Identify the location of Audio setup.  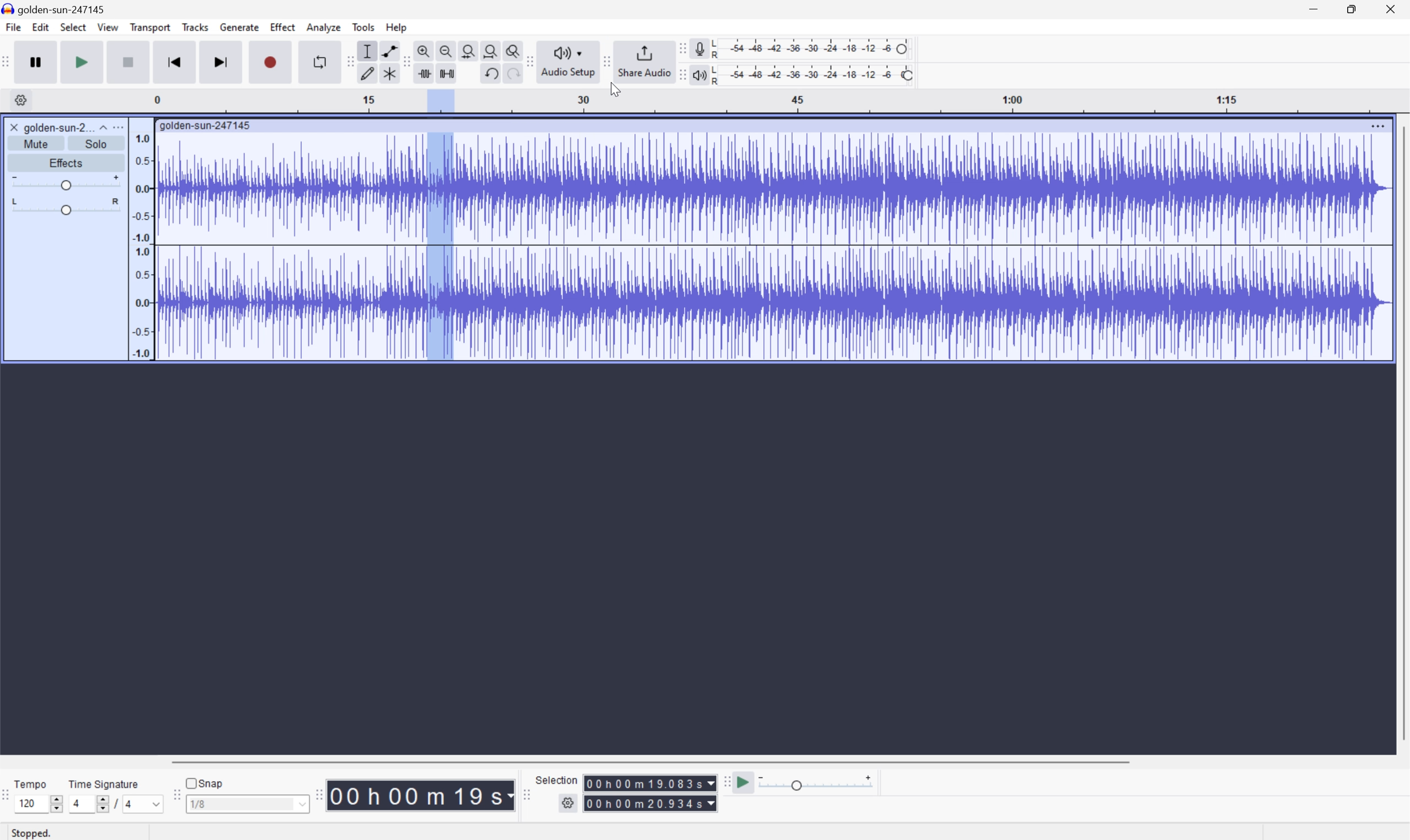
(570, 61).